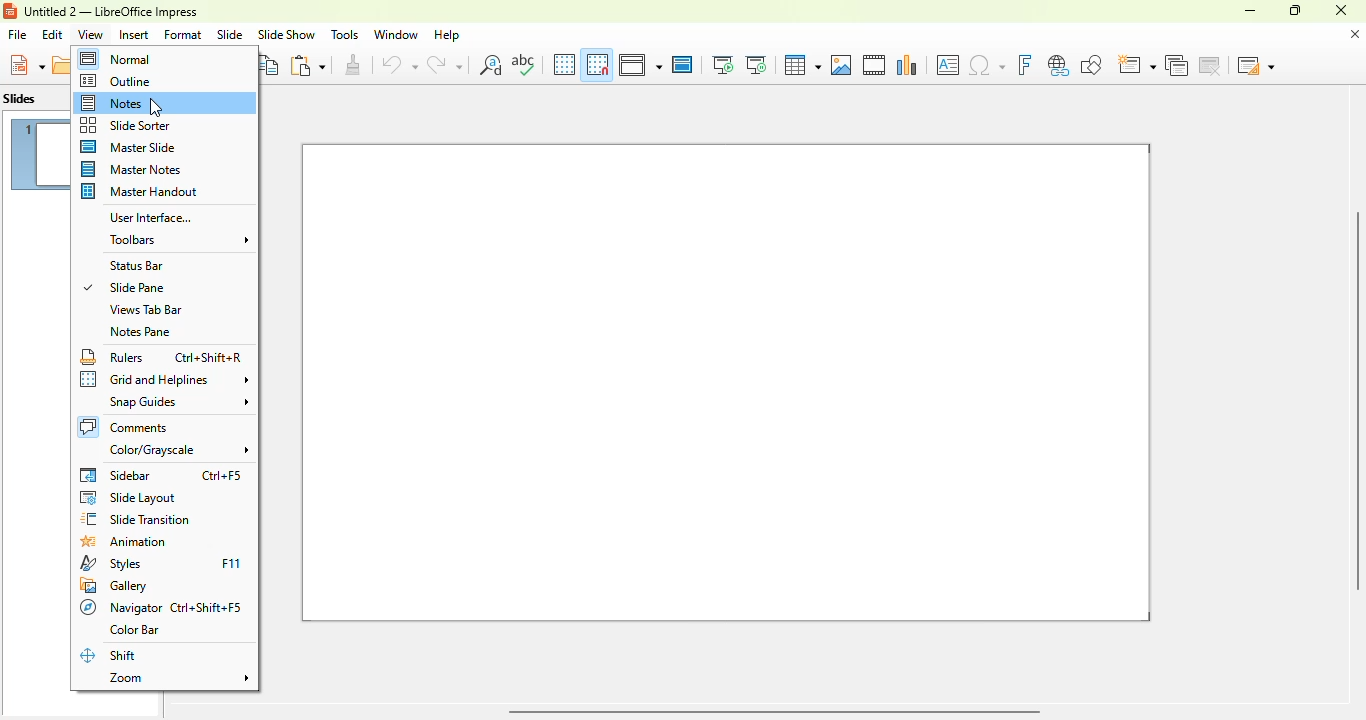  I want to click on notes, so click(114, 103).